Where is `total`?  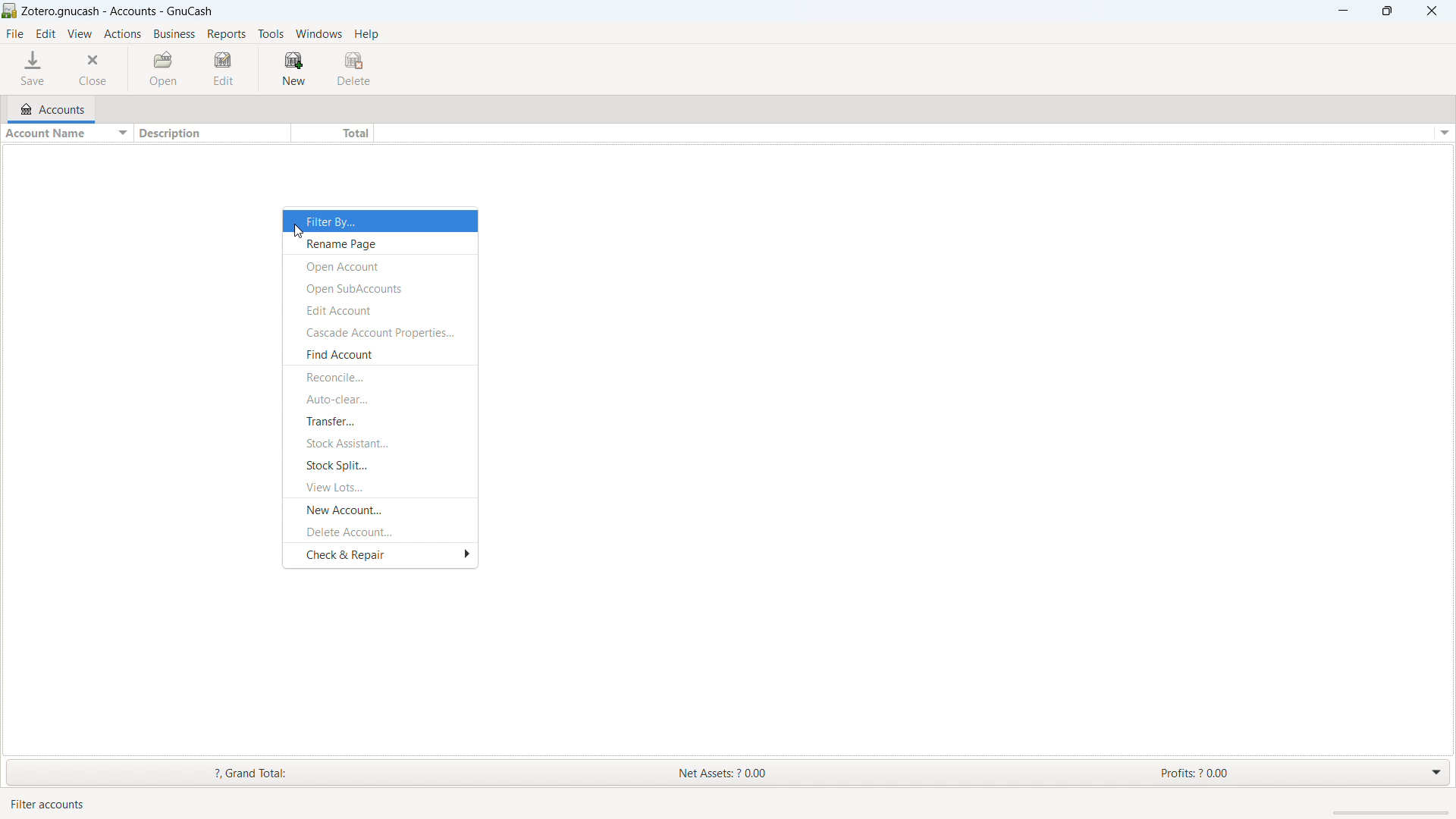
total is located at coordinates (331, 133).